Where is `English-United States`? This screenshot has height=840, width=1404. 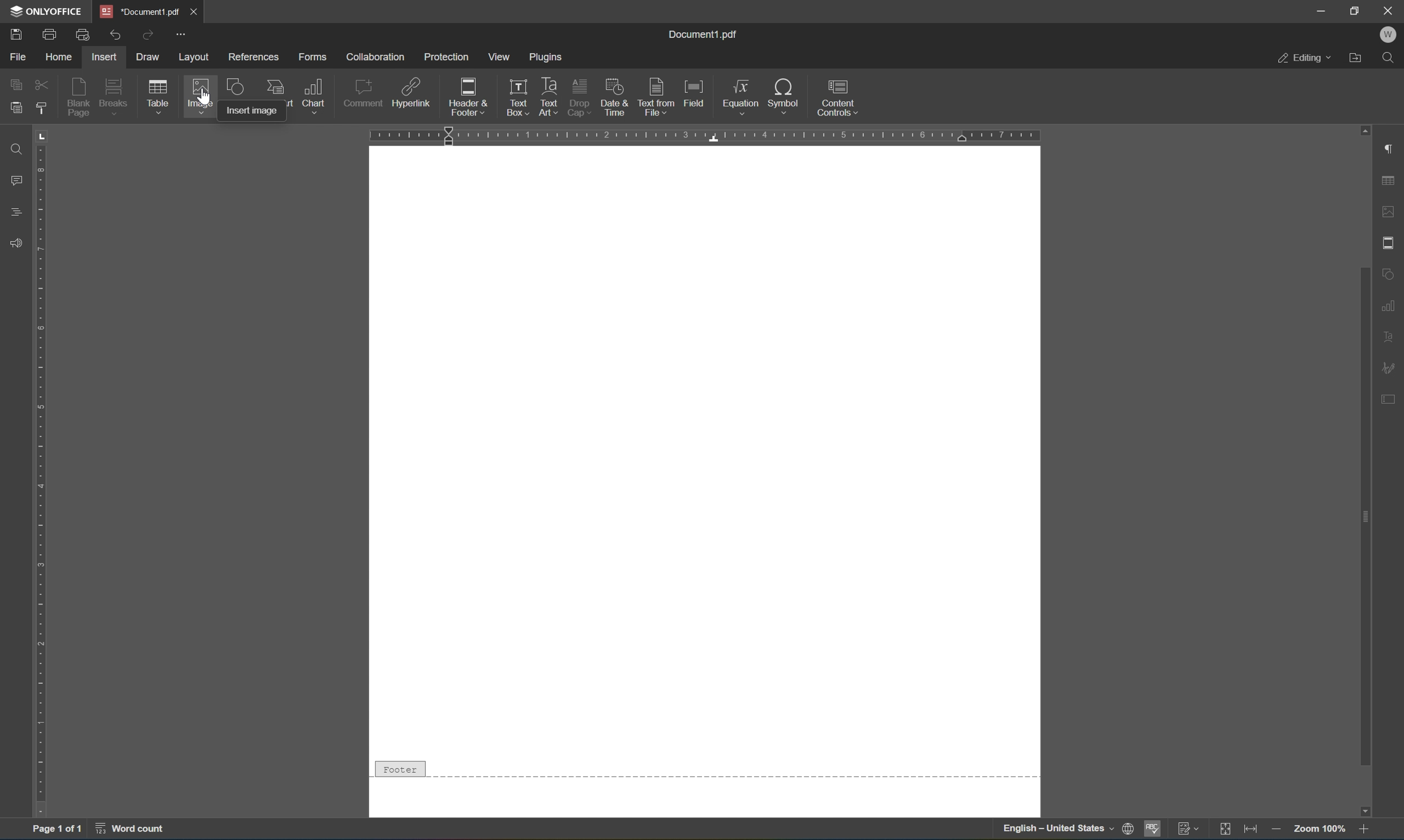 English-United States is located at coordinates (1066, 830).